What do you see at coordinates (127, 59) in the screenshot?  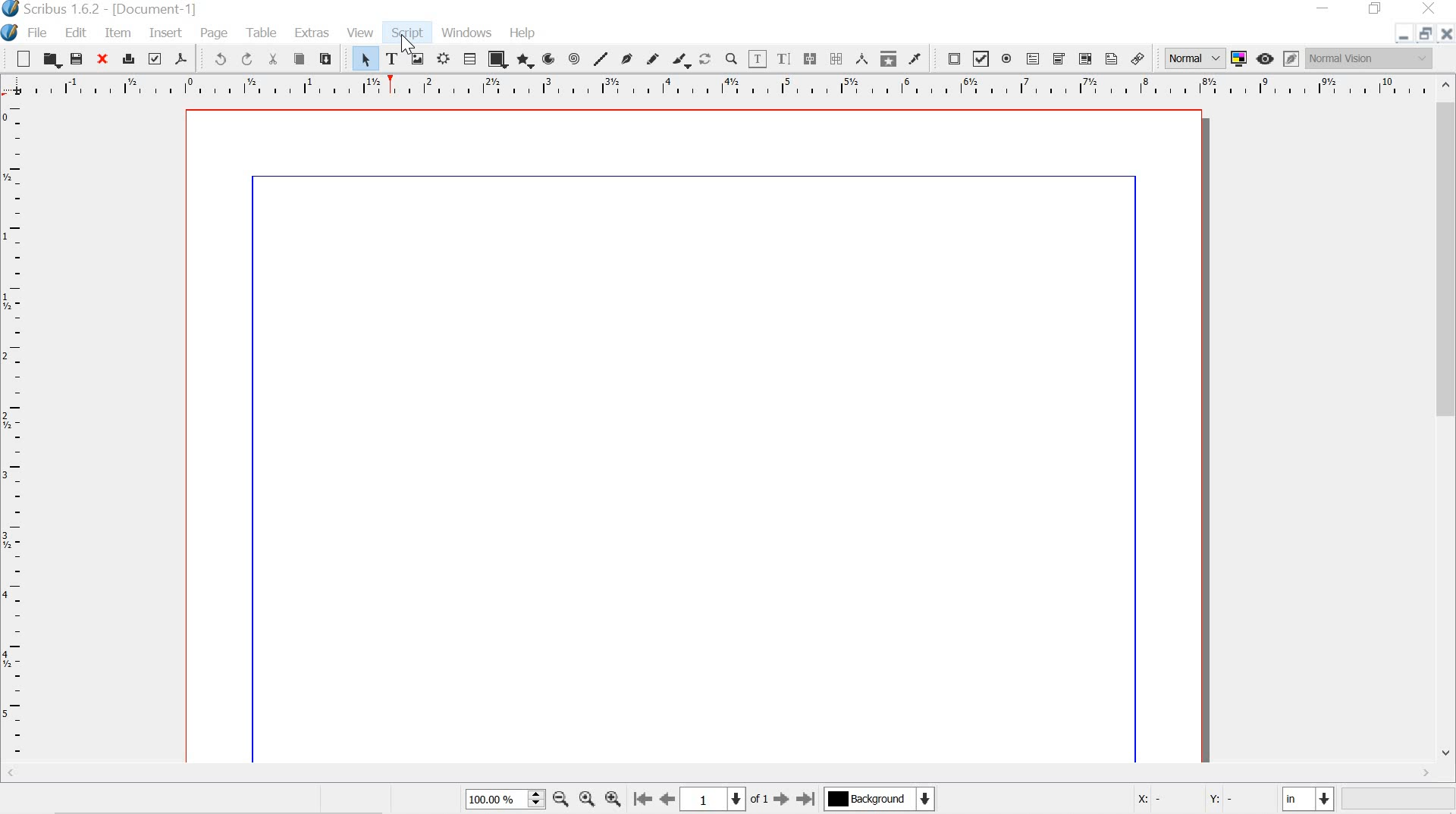 I see `print` at bounding box center [127, 59].